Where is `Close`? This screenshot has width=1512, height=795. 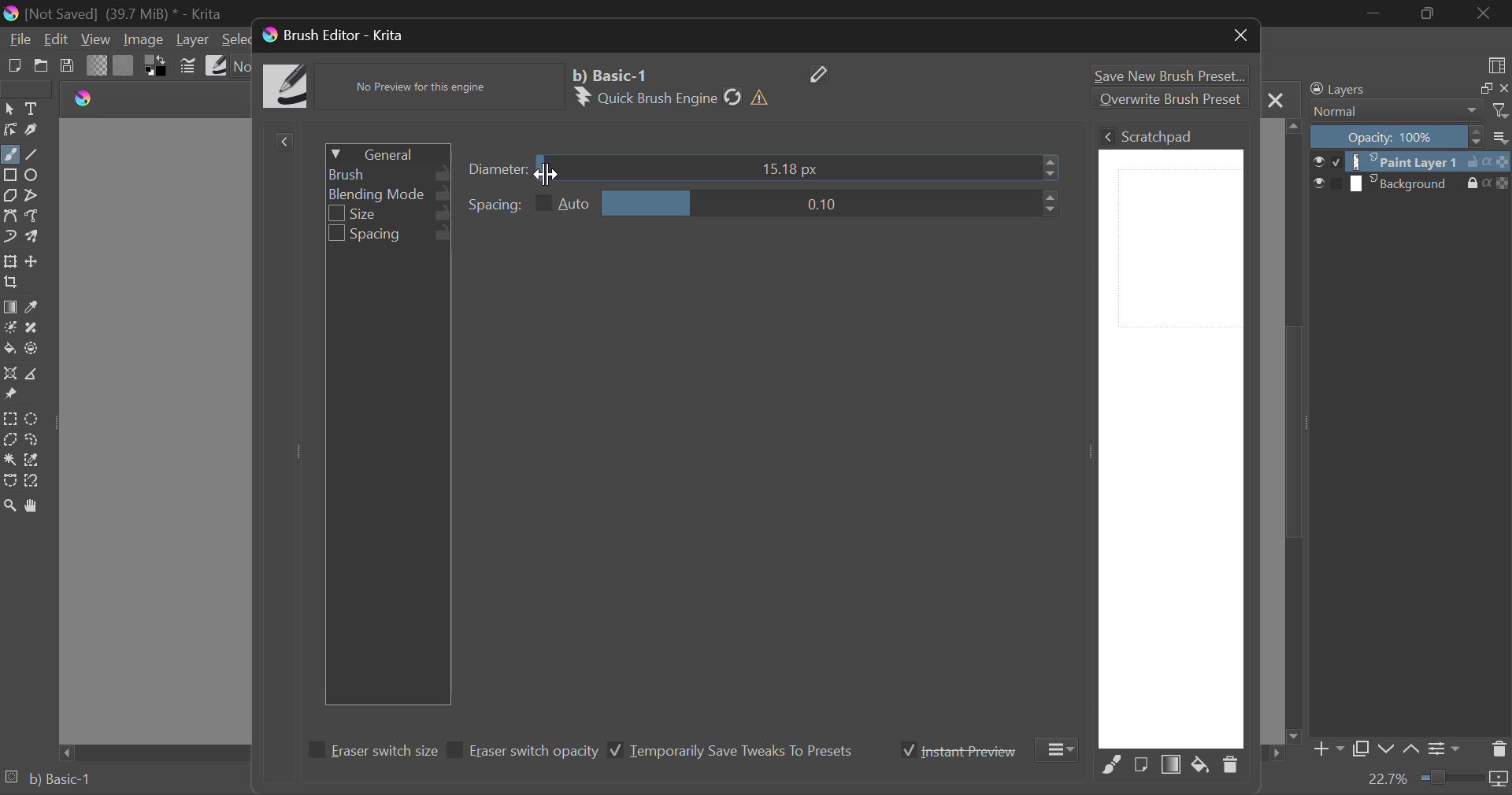
Close is located at coordinates (1484, 13).